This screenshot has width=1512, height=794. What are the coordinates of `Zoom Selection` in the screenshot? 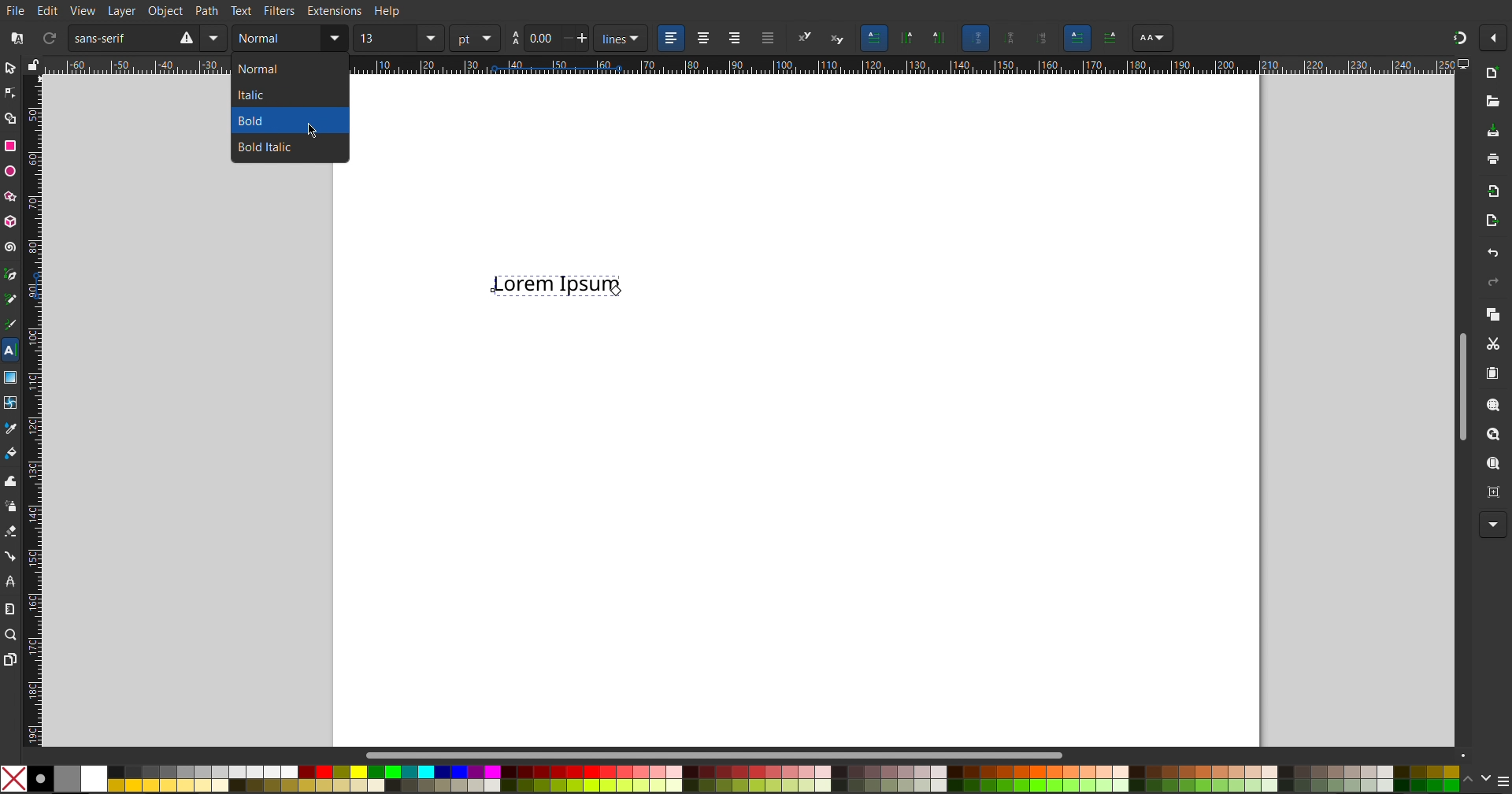 It's located at (1488, 404).